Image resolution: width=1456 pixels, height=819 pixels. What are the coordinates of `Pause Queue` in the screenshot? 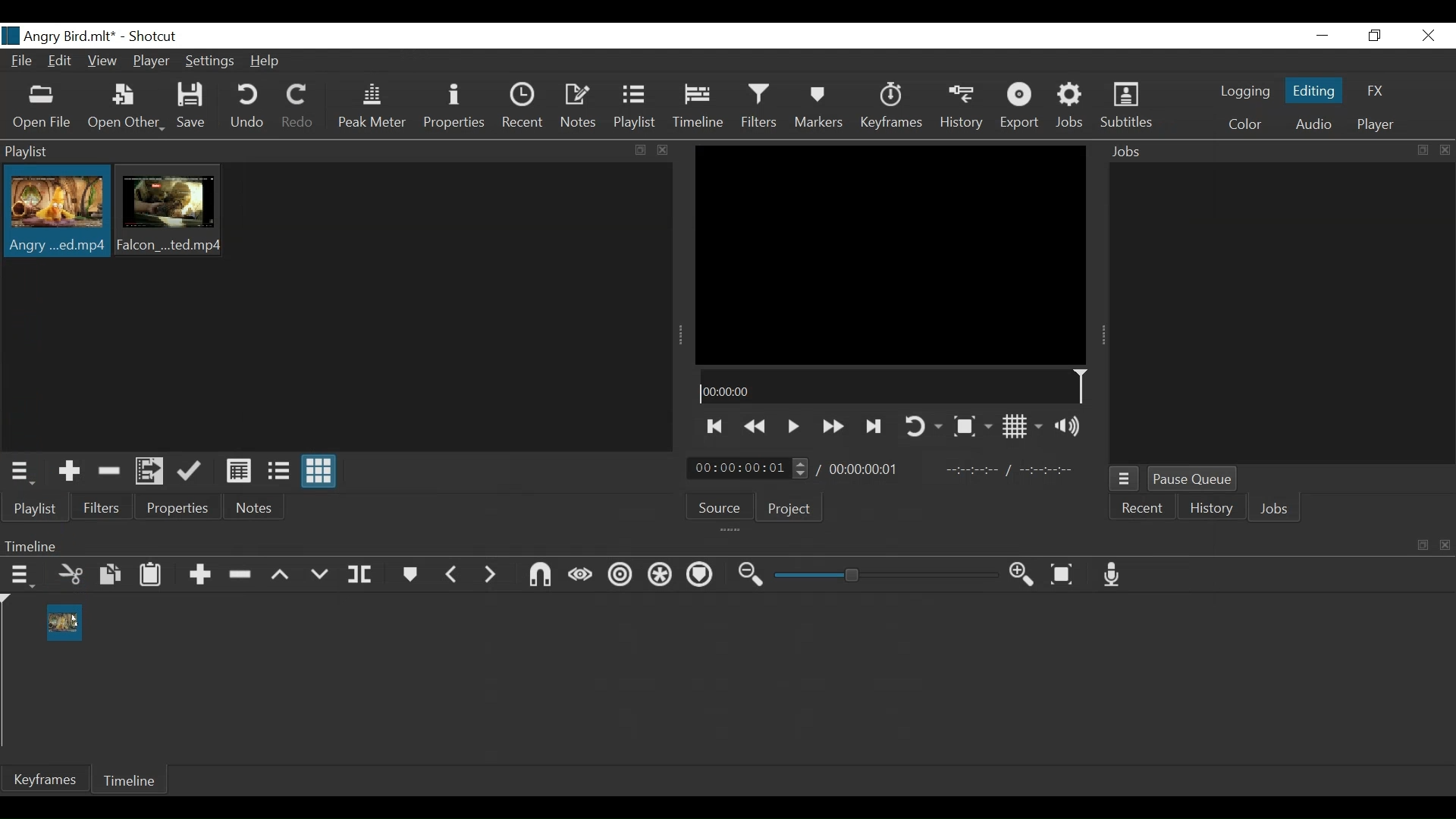 It's located at (1193, 479).